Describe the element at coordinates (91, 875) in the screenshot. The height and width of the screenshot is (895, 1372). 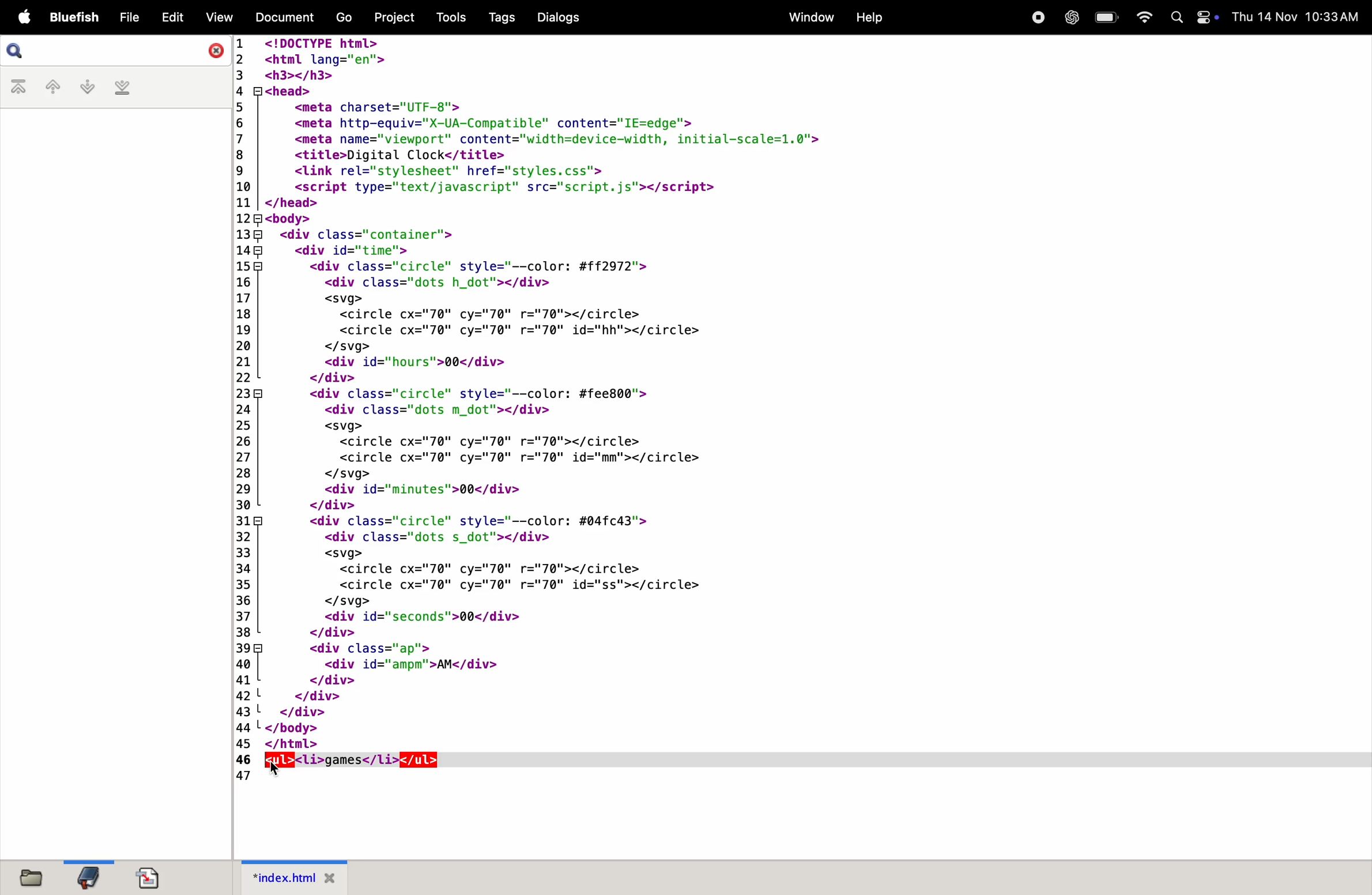
I see `bookmark` at that location.